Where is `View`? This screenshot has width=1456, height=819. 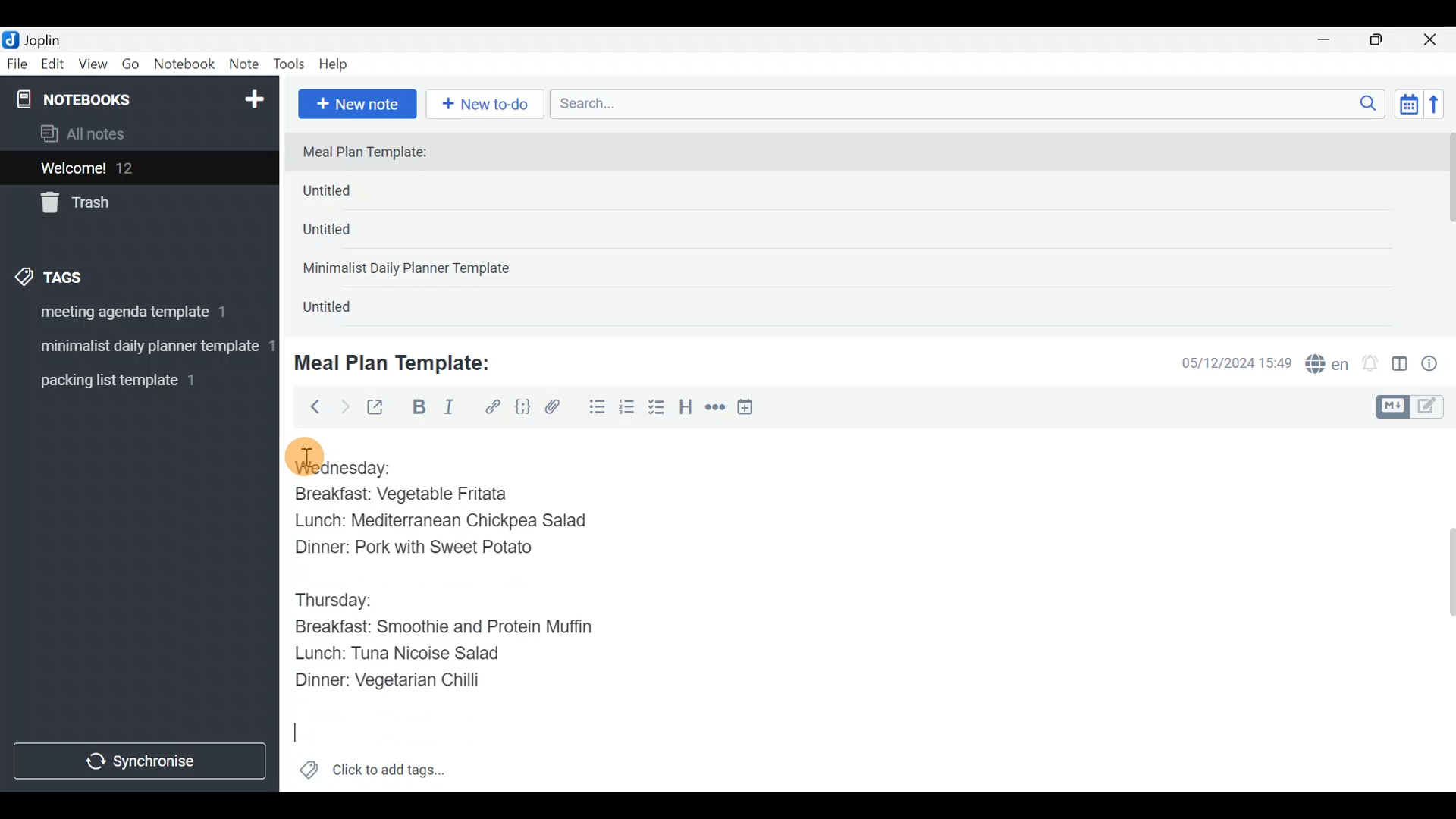
View is located at coordinates (93, 67).